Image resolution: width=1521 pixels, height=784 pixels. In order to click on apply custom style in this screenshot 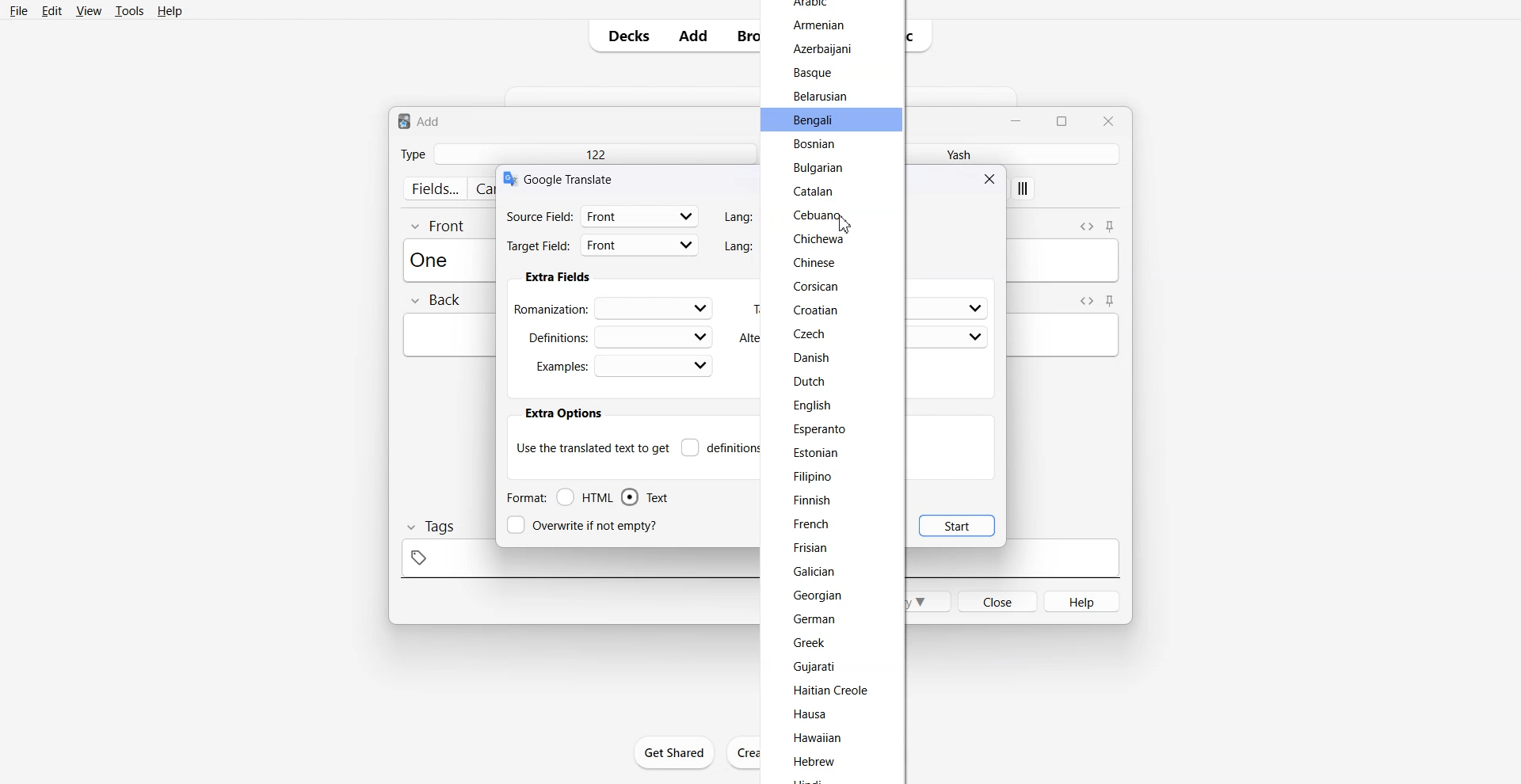, I will do `click(1024, 190)`.